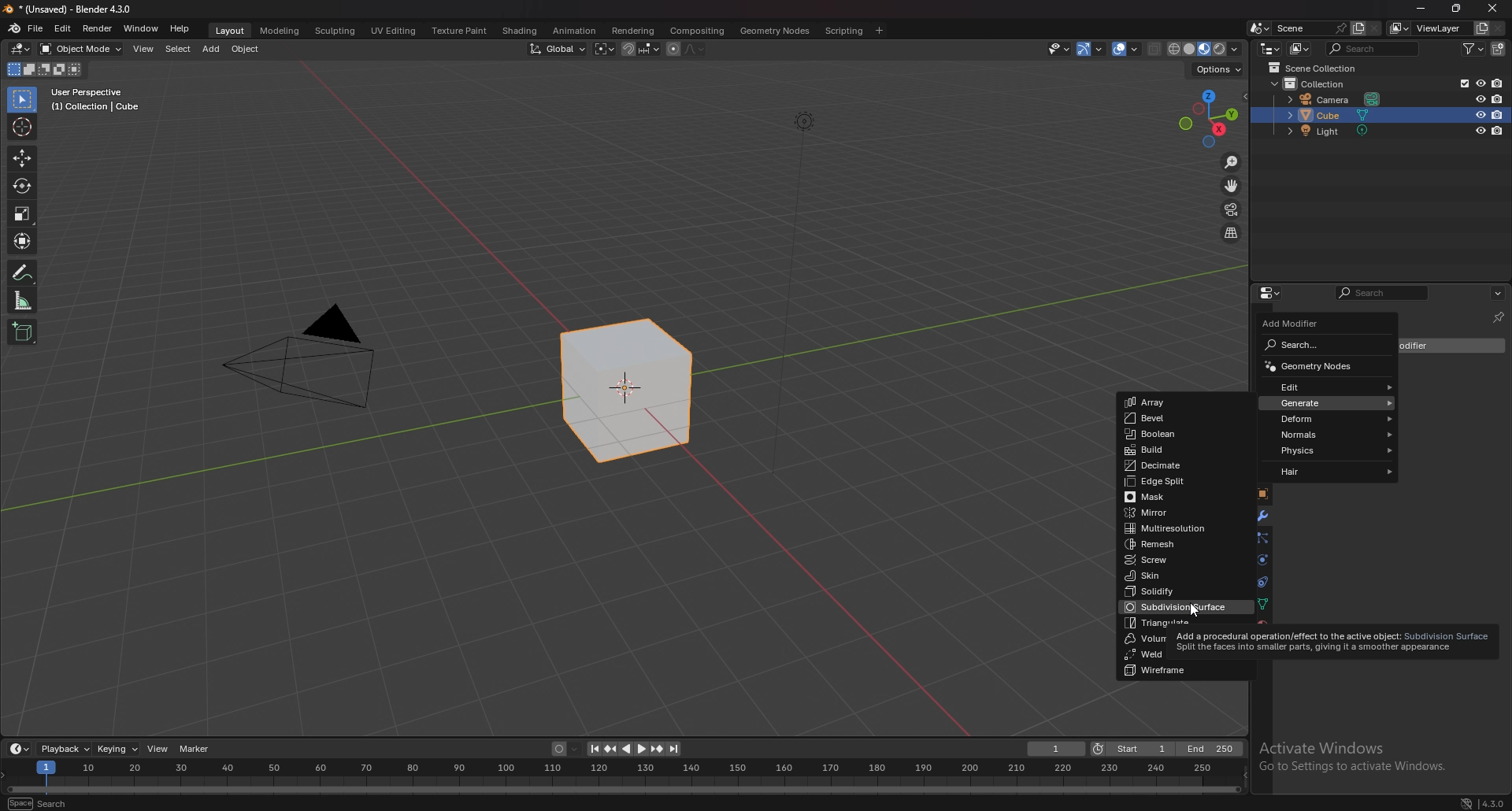  Describe the element at coordinates (231, 30) in the screenshot. I see `layout` at that location.